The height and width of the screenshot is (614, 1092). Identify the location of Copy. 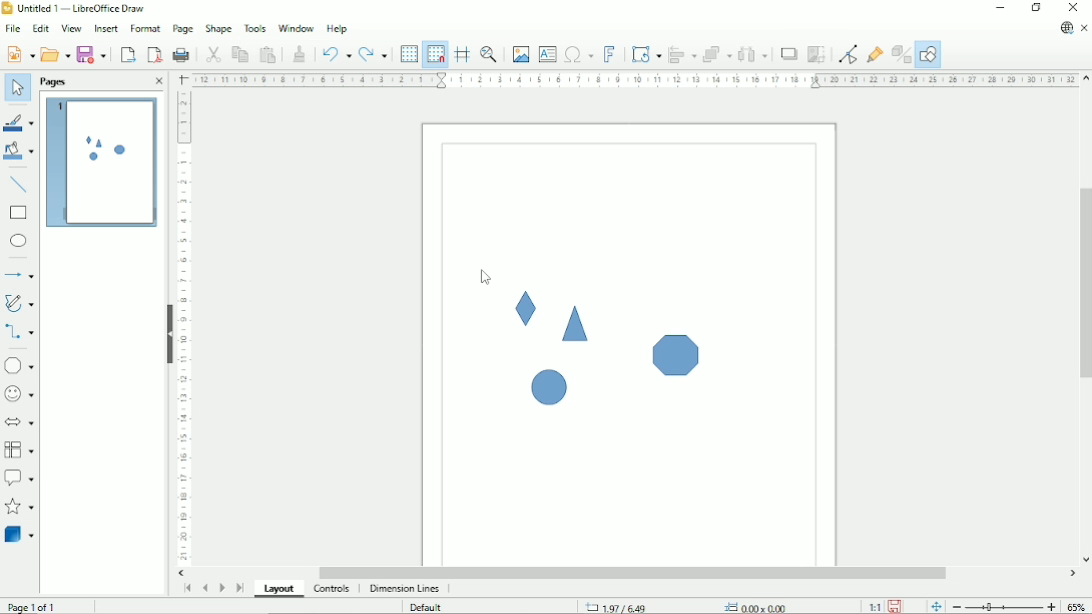
(239, 53).